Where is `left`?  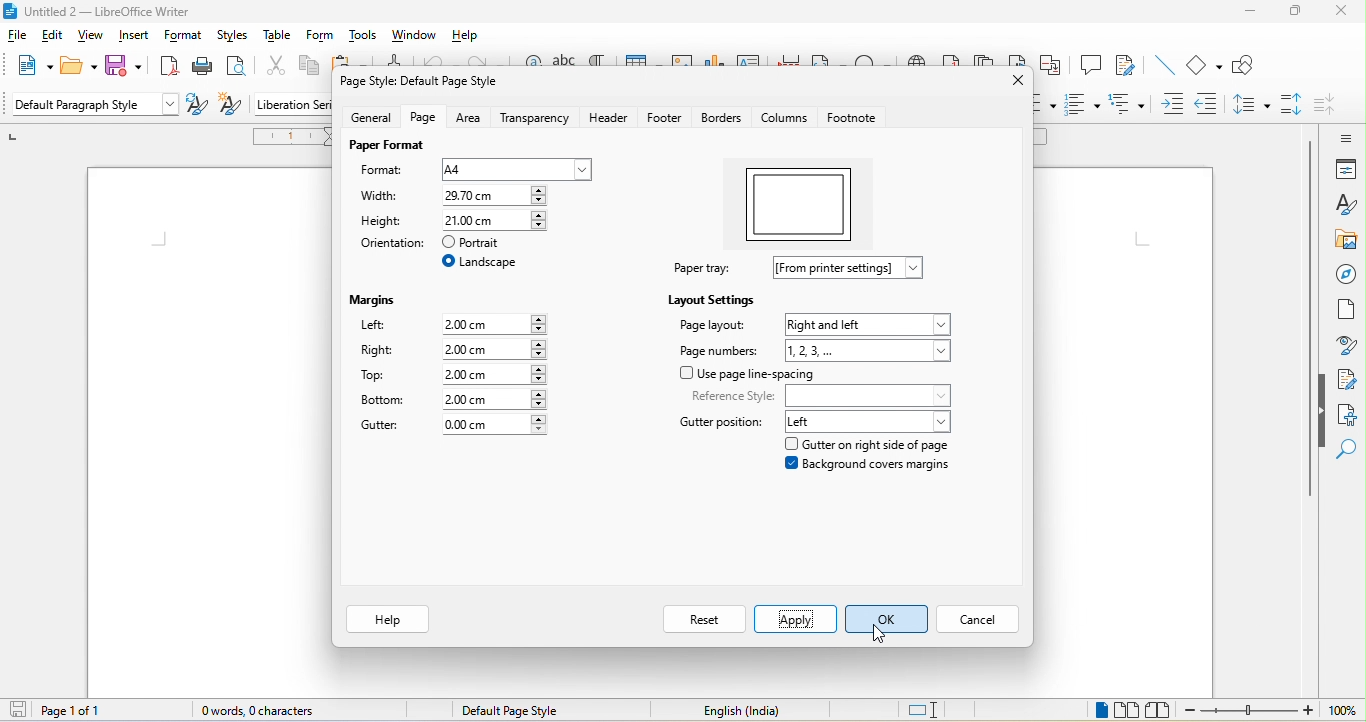
left is located at coordinates (871, 422).